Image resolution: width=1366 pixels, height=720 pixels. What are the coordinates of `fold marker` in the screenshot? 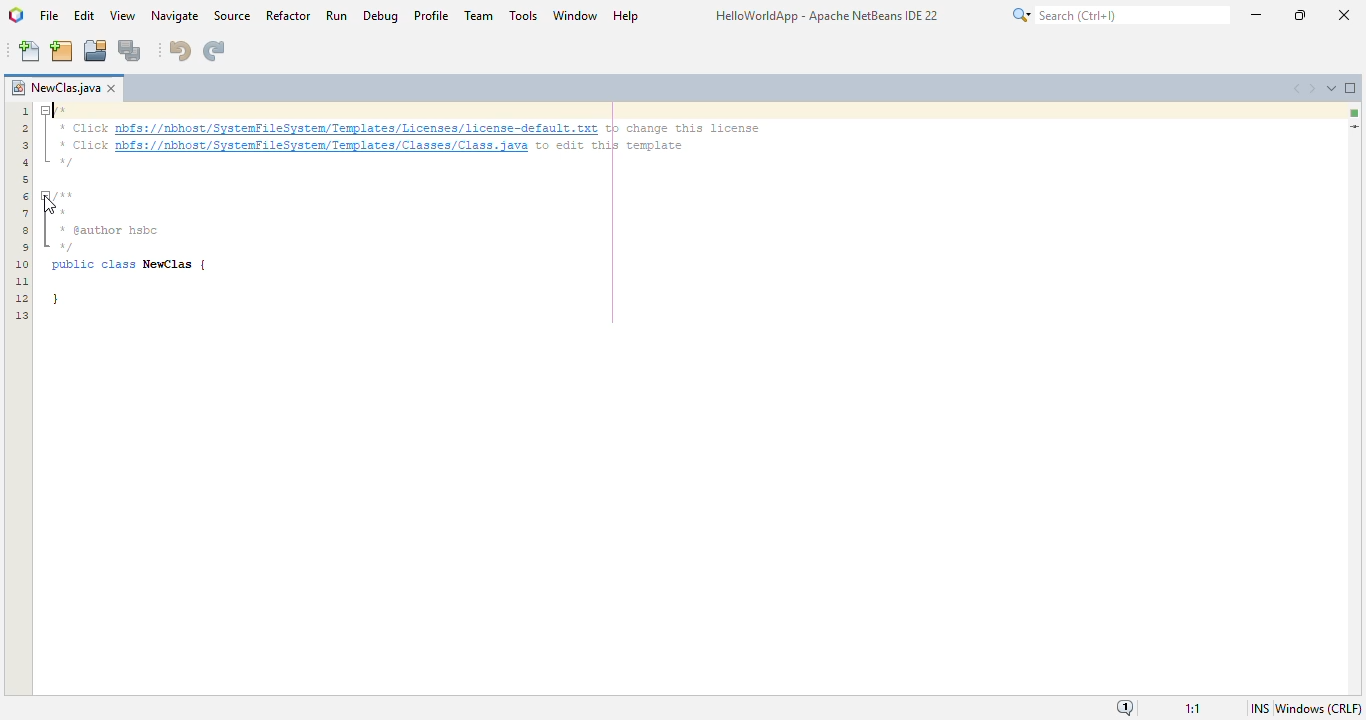 It's located at (44, 218).